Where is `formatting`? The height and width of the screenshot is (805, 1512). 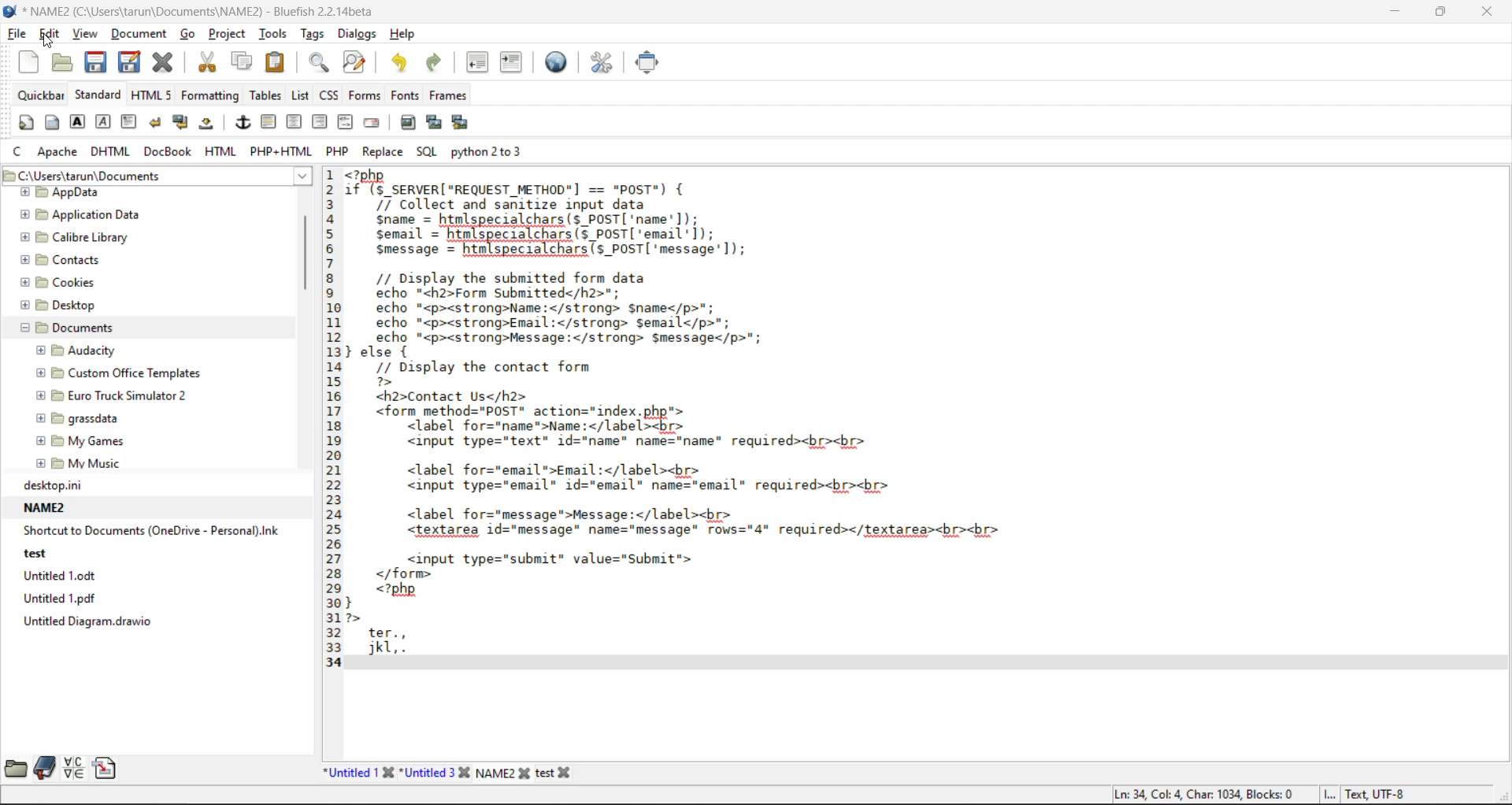 formatting is located at coordinates (215, 97).